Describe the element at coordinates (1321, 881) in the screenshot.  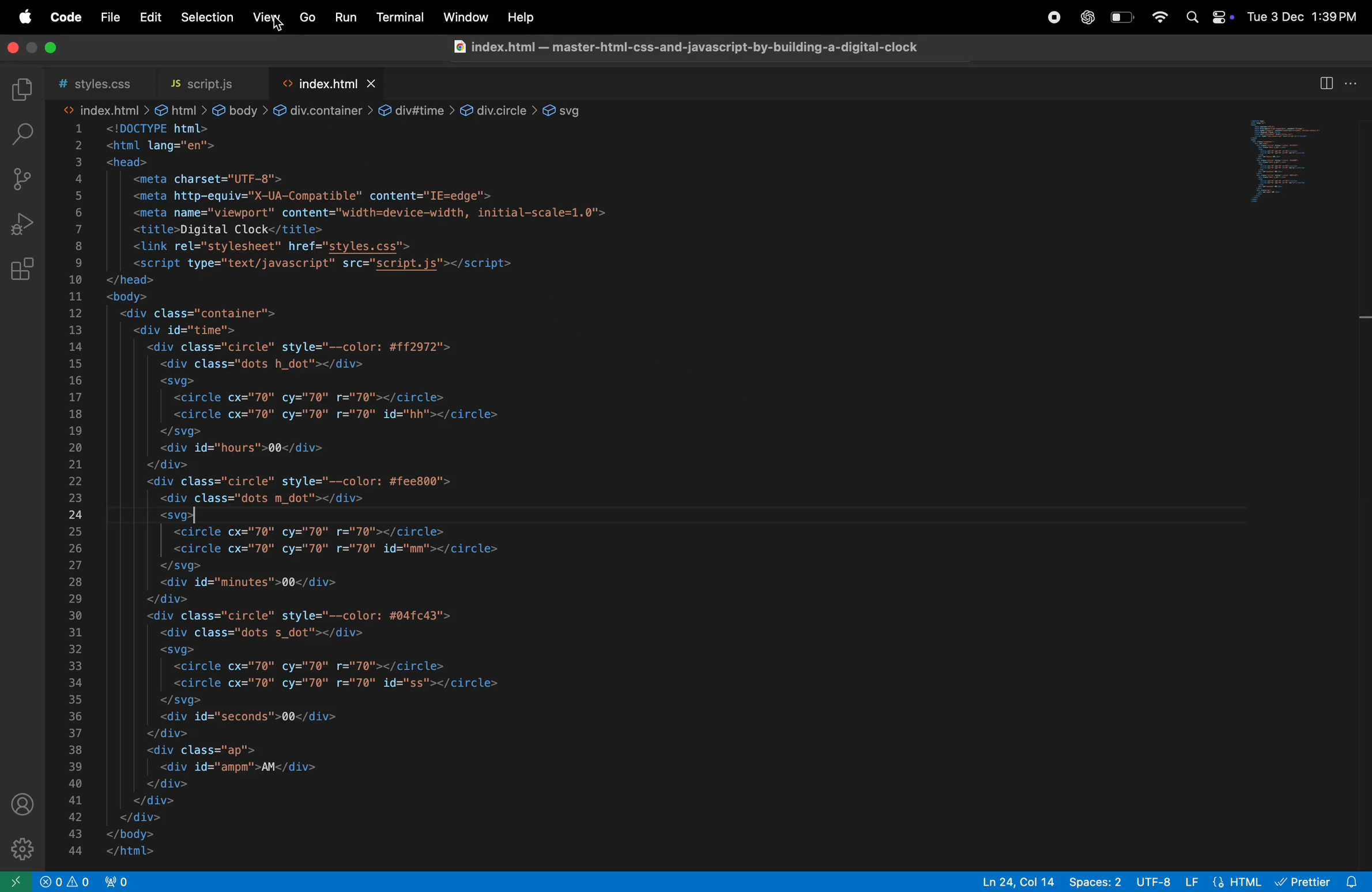
I see `prettier extension installed` at that location.